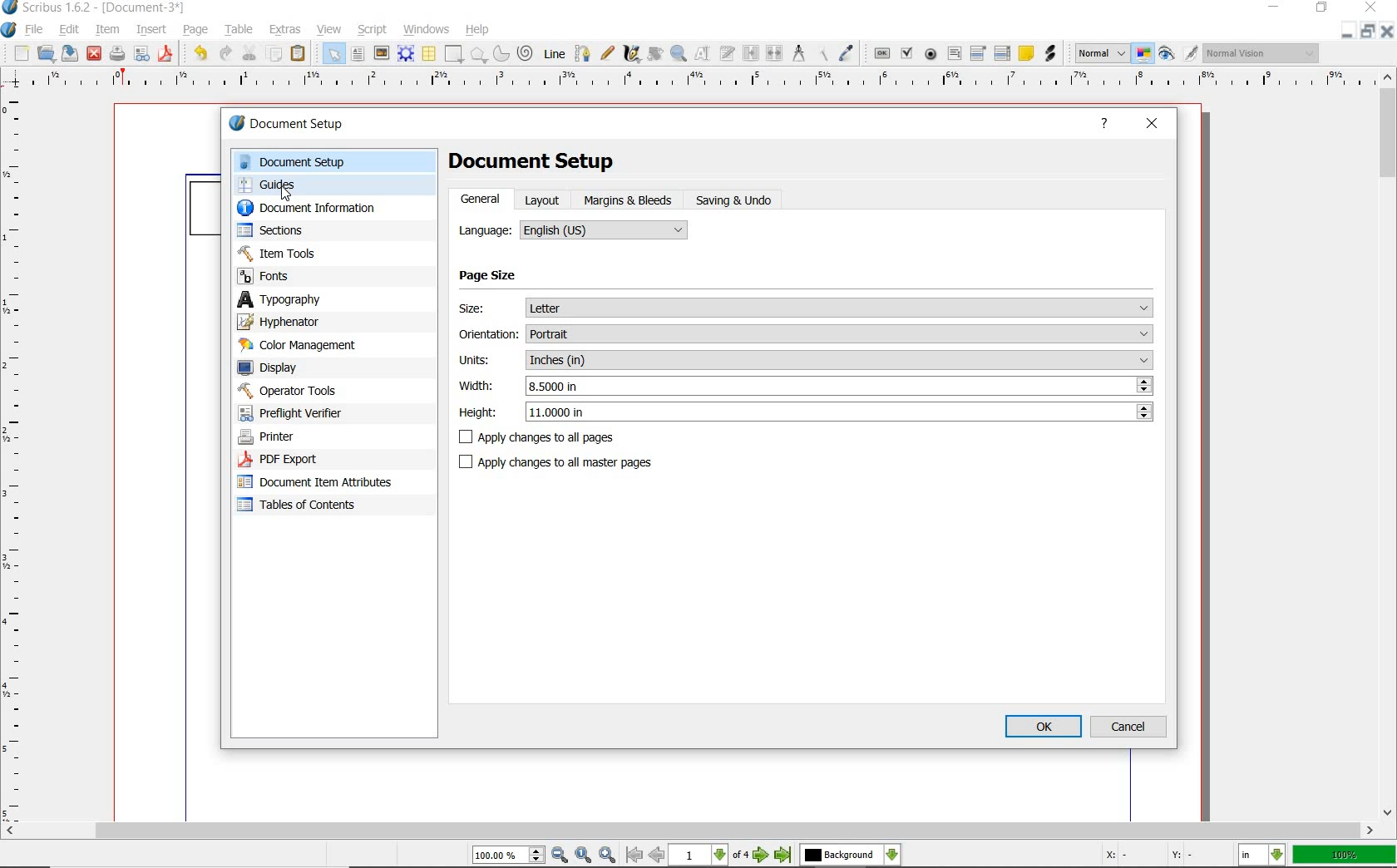 Image resolution: width=1397 pixels, height=868 pixels. Describe the element at coordinates (164, 54) in the screenshot. I see `save as pdf` at that location.